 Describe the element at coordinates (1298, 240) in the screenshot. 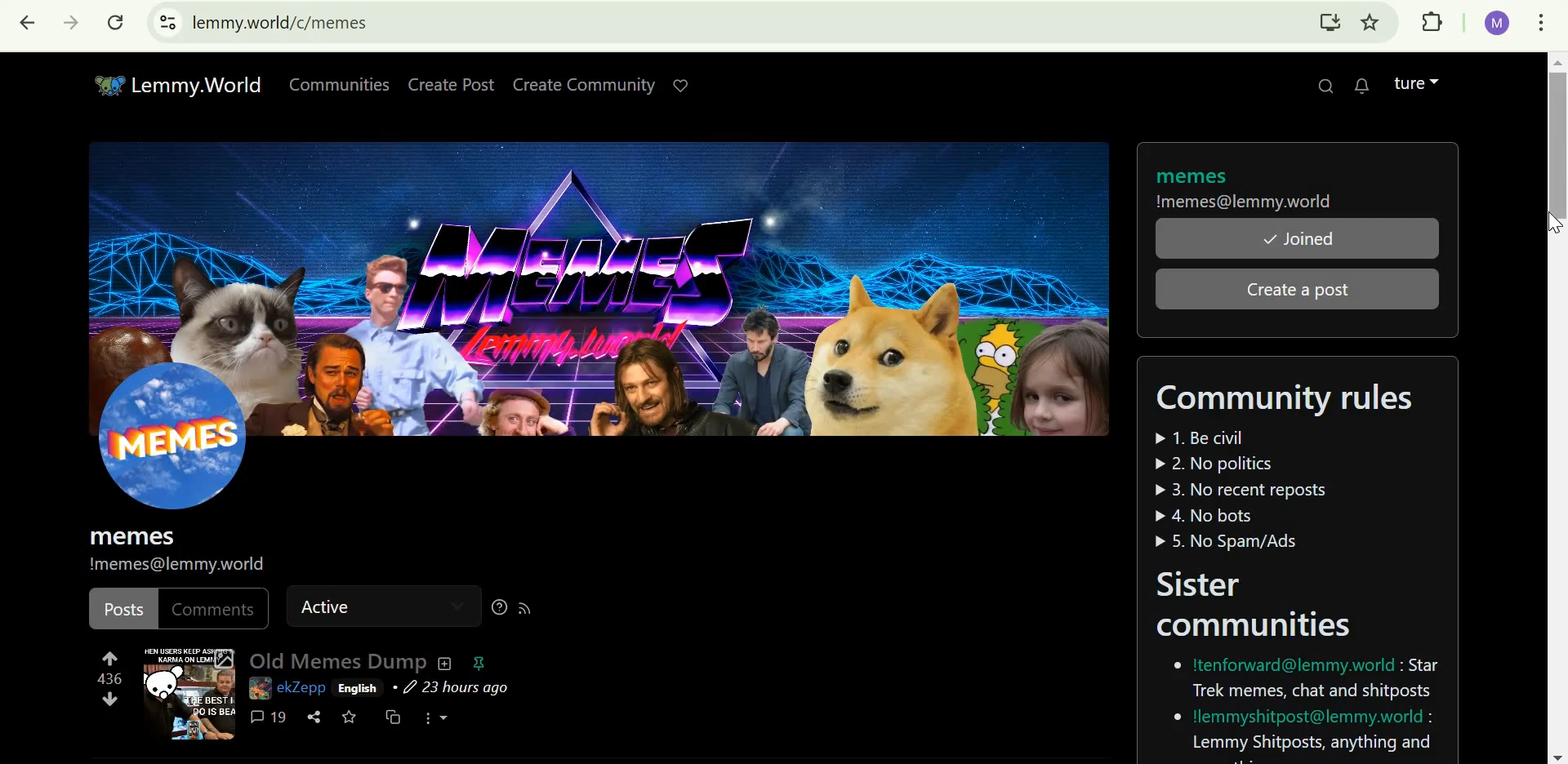

I see `Joined` at that location.